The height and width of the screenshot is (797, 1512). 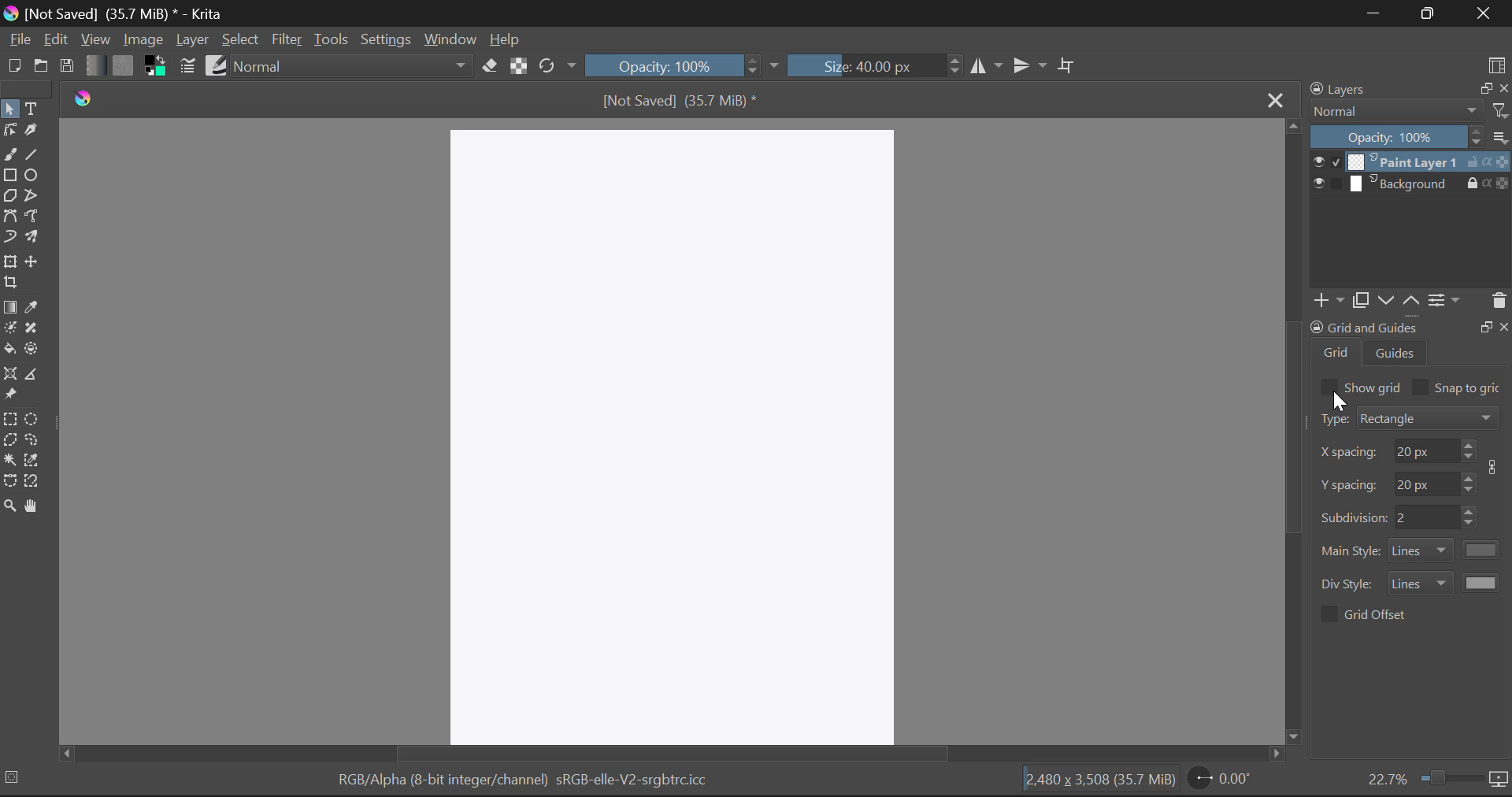 What do you see at coordinates (1483, 550) in the screenshot?
I see `color` at bounding box center [1483, 550].